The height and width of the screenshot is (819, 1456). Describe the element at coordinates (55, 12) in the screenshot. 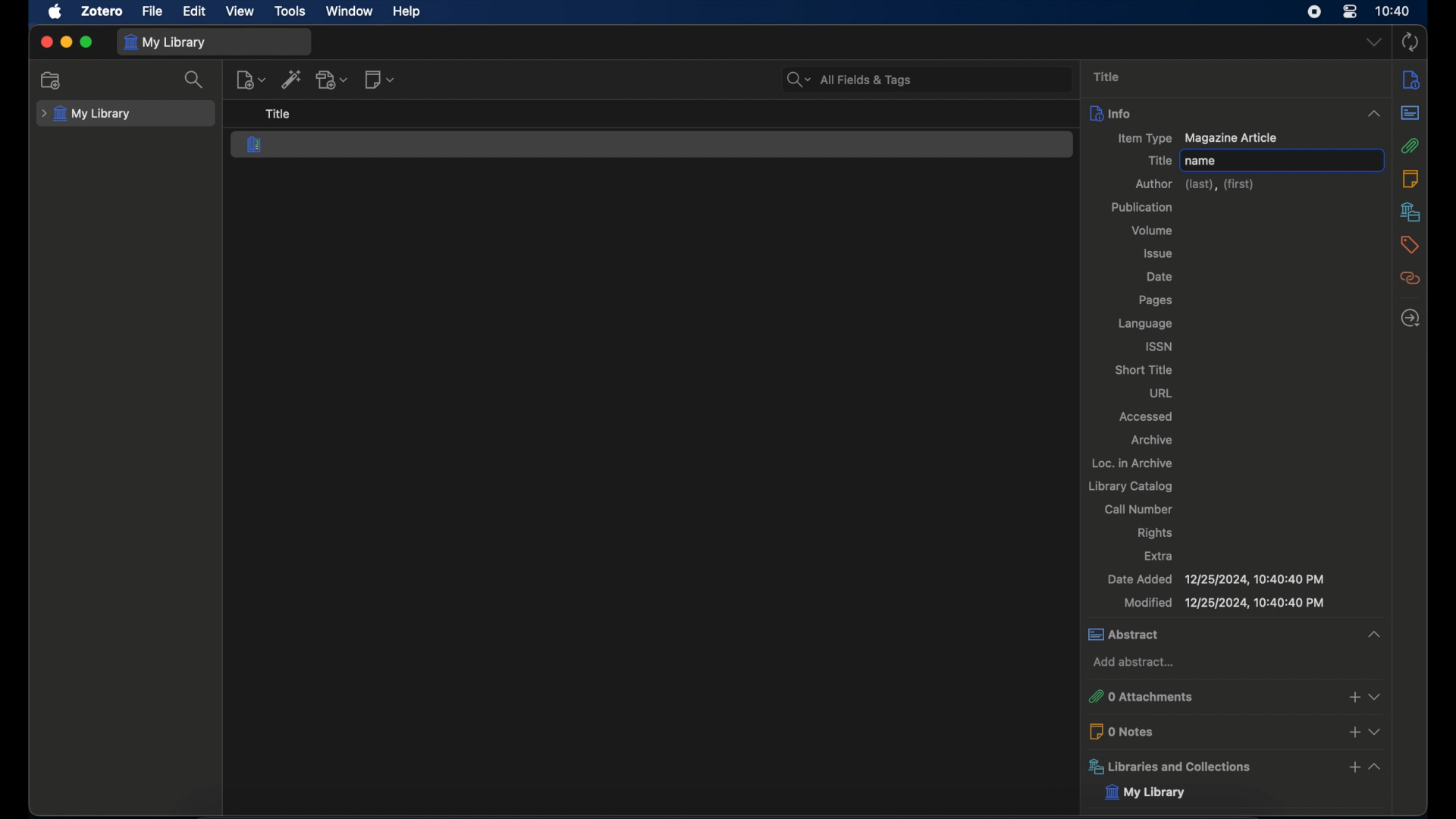

I see `apple` at that location.